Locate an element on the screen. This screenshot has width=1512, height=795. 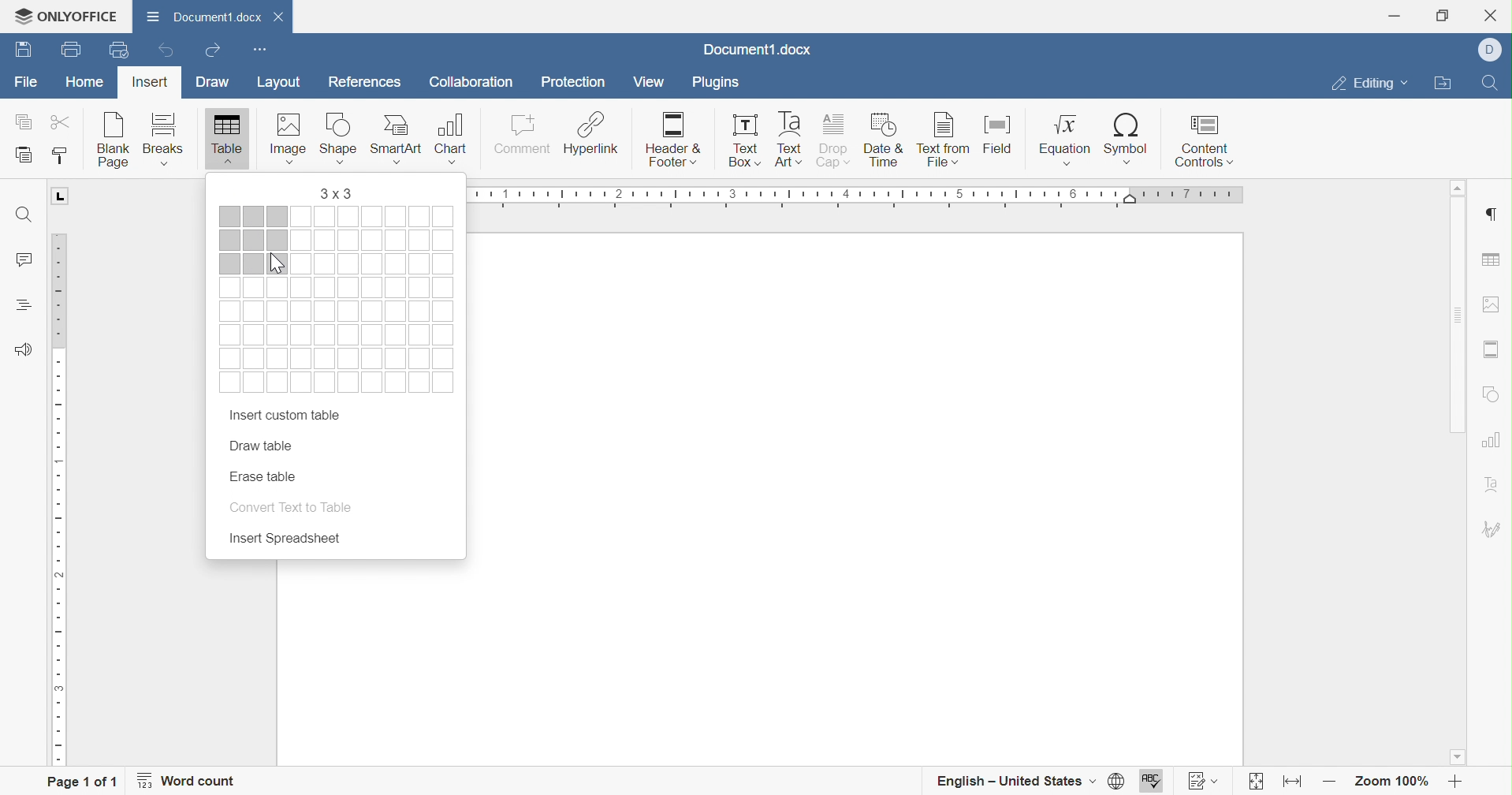
Image settings is located at coordinates (1494, 305).